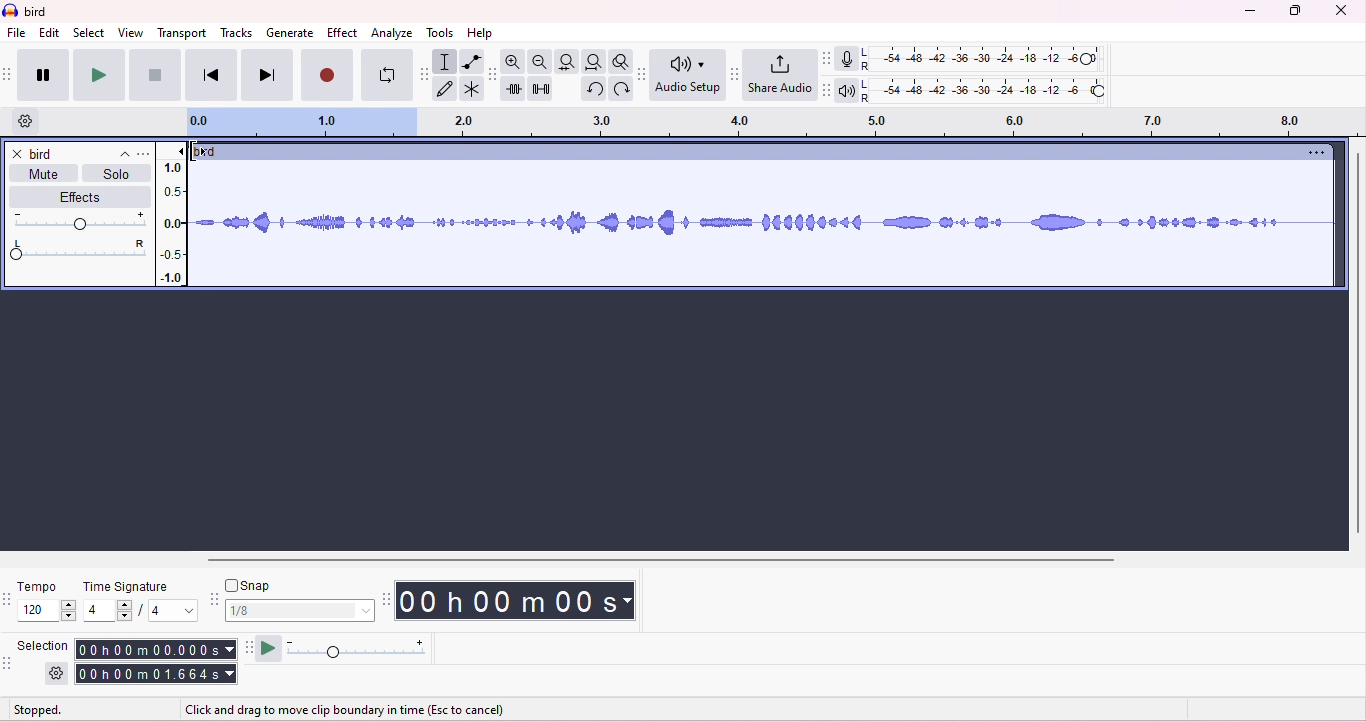  I want to click on audio set up tool bar, so click(644, 72).